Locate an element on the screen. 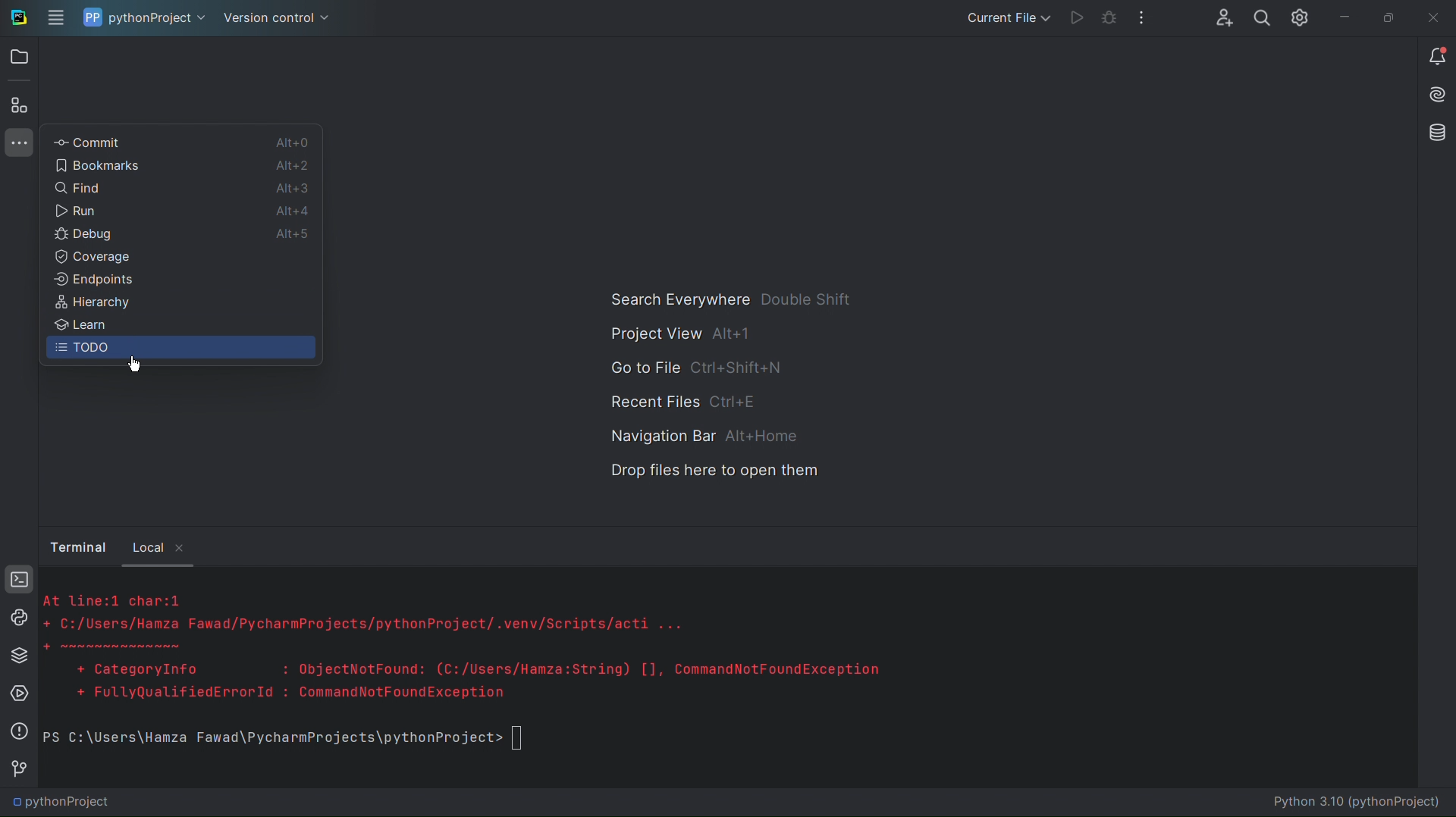  Services is located at coordinates (19, 696).